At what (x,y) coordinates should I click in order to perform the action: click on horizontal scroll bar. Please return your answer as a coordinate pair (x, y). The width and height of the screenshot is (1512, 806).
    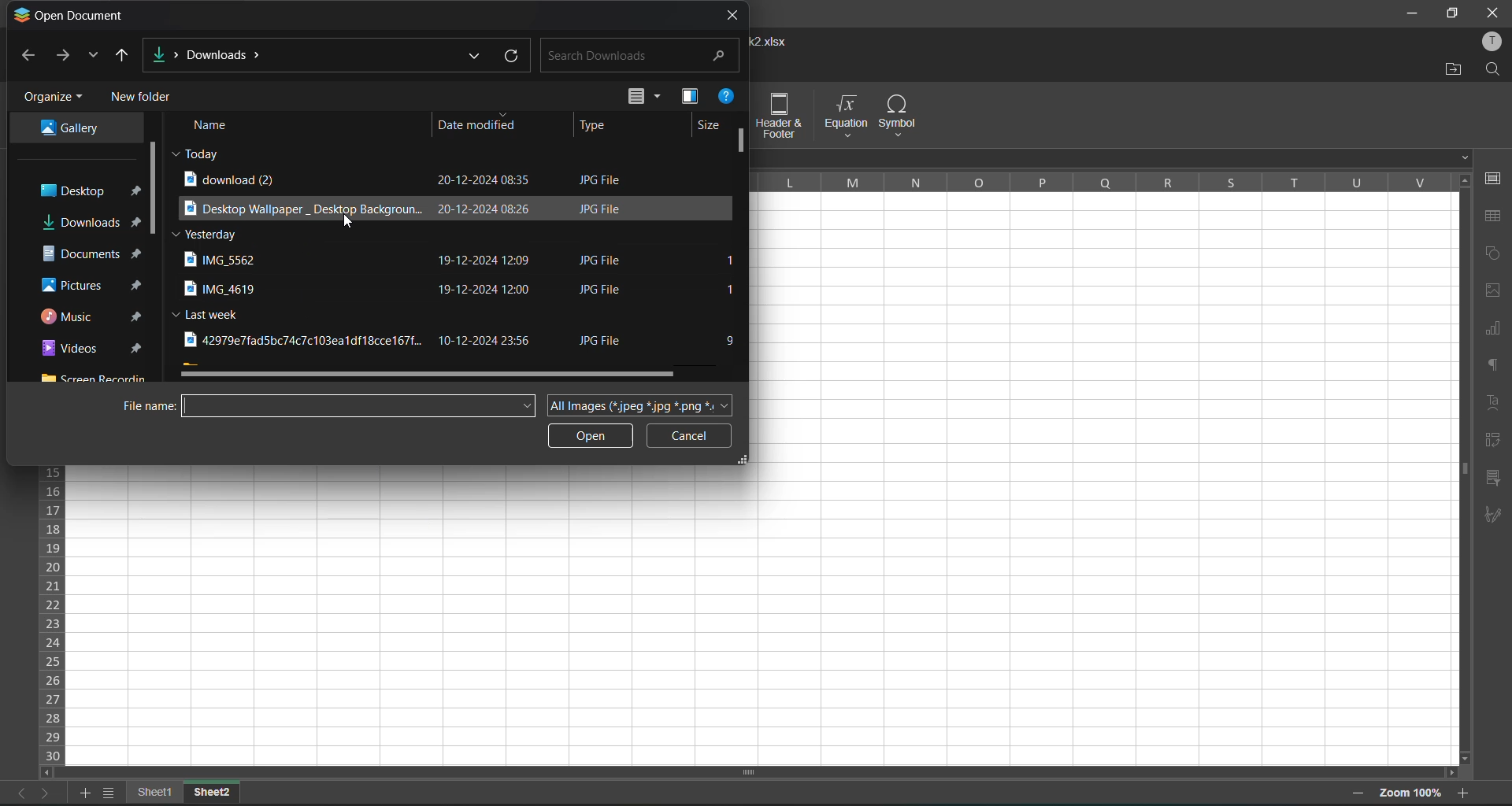
    Looking at the image, I should click on (436, 374).